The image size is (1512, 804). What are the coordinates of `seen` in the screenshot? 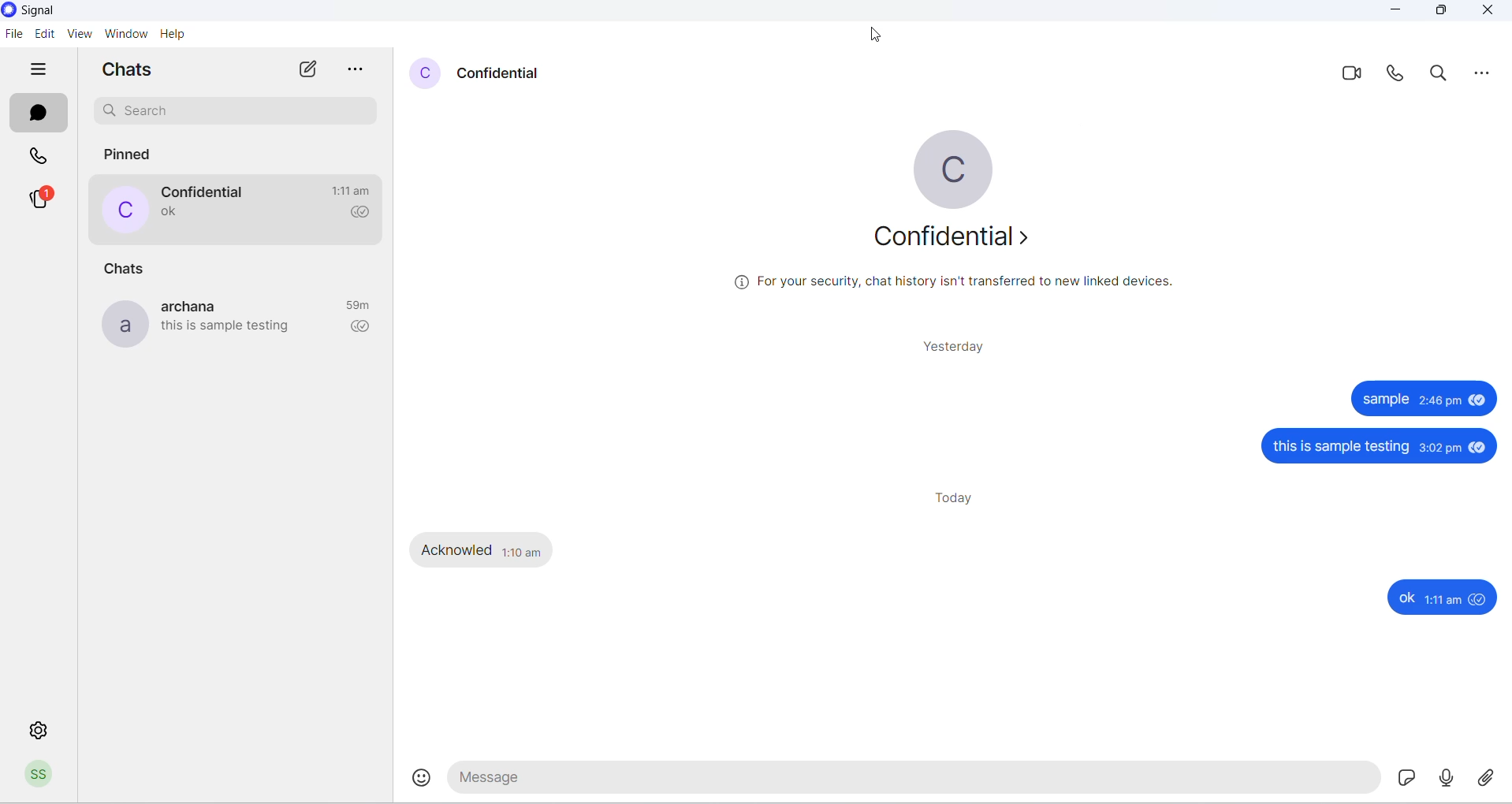 It's located at (1477, 598).